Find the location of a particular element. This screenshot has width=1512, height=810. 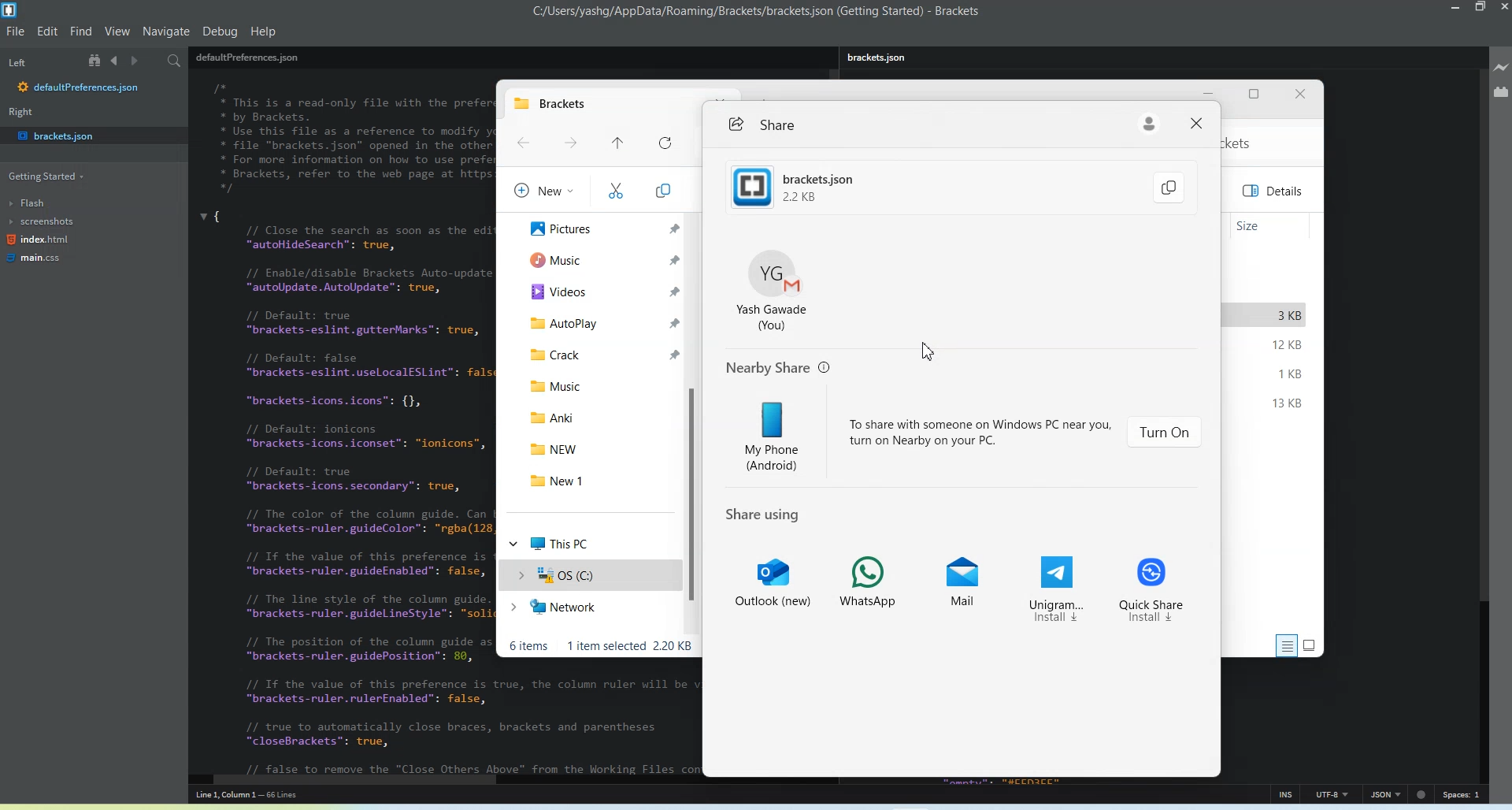

Autoplay is located at coordinates (598, 321).